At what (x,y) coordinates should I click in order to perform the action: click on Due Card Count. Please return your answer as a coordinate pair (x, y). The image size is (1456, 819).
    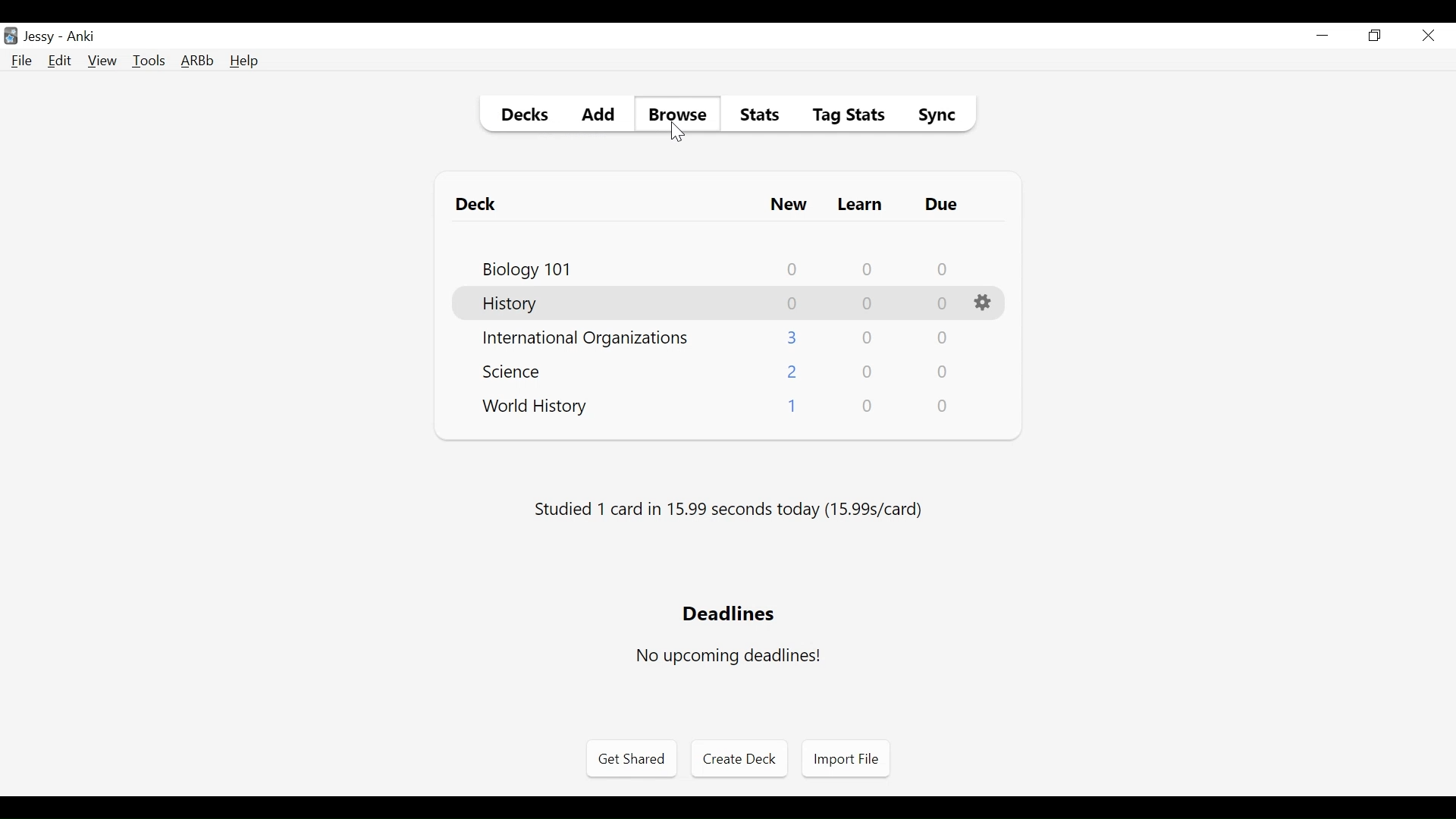
    Looking at the image, I should click on (941, 406).